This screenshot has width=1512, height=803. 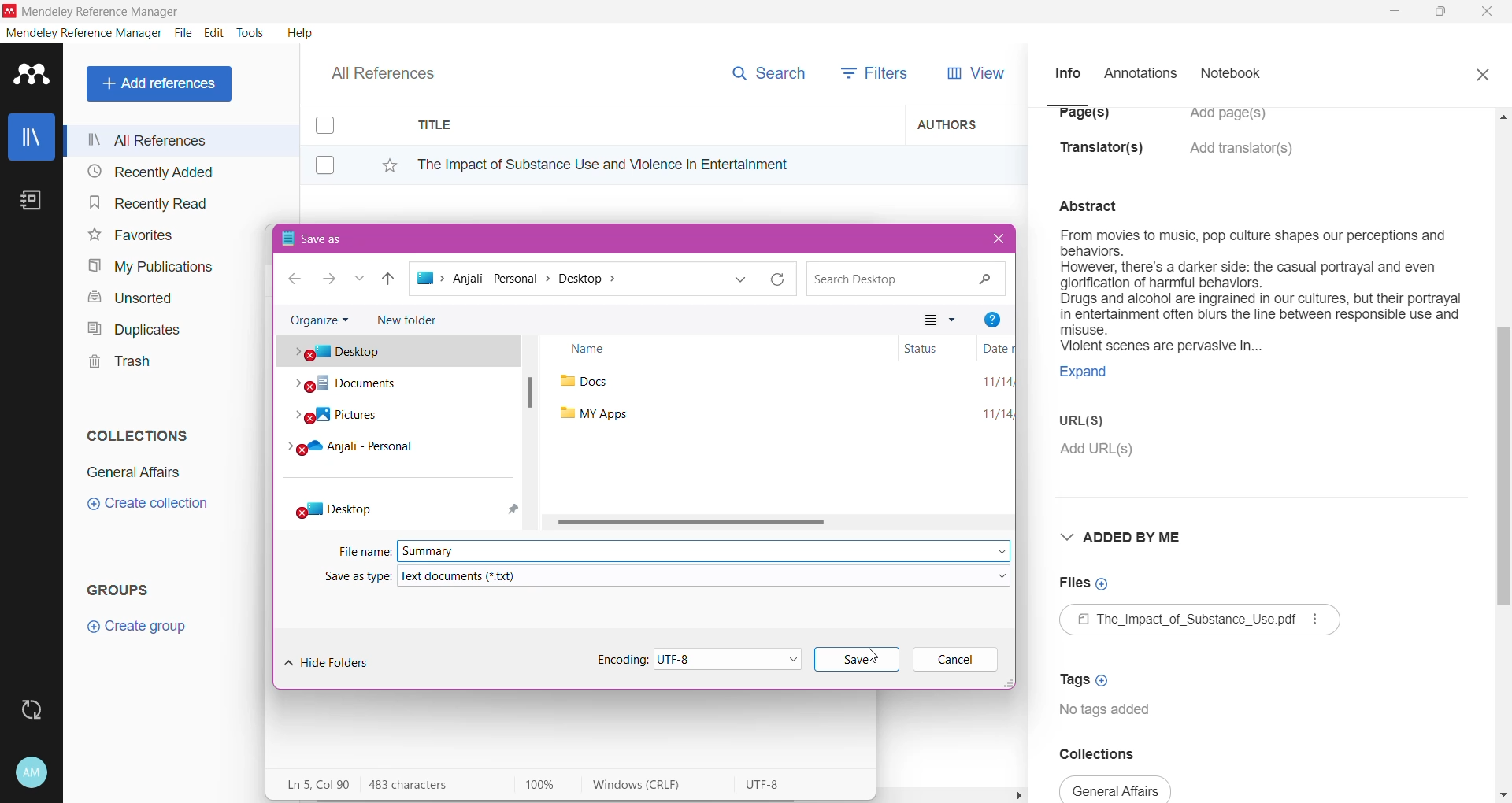 What do you see at coordinates (684, 658) in the screenshot?
I see `Set Encoding Type` at bounding box center [684, 658].